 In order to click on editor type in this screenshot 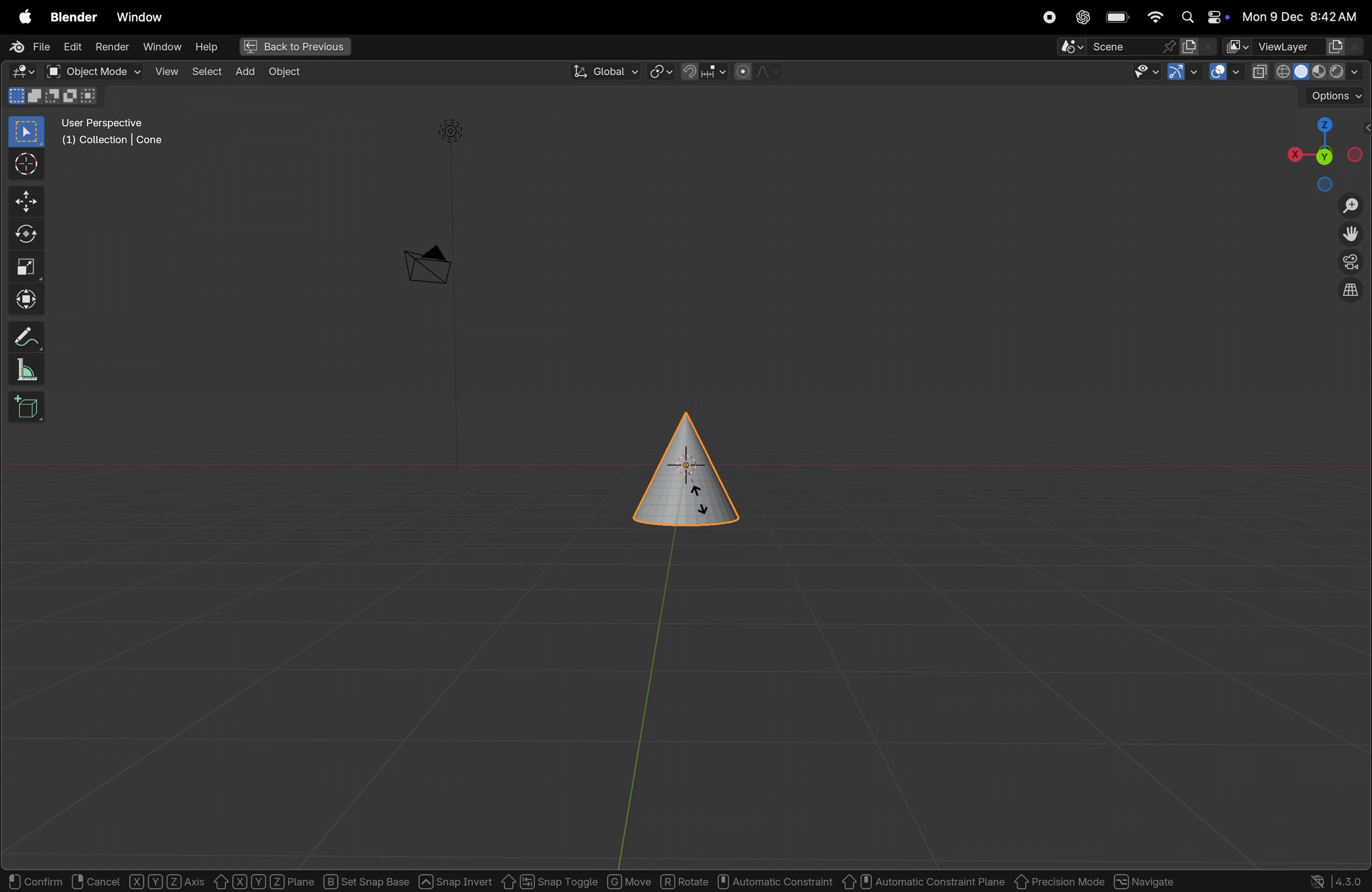, I will do `click(22, 70)`.